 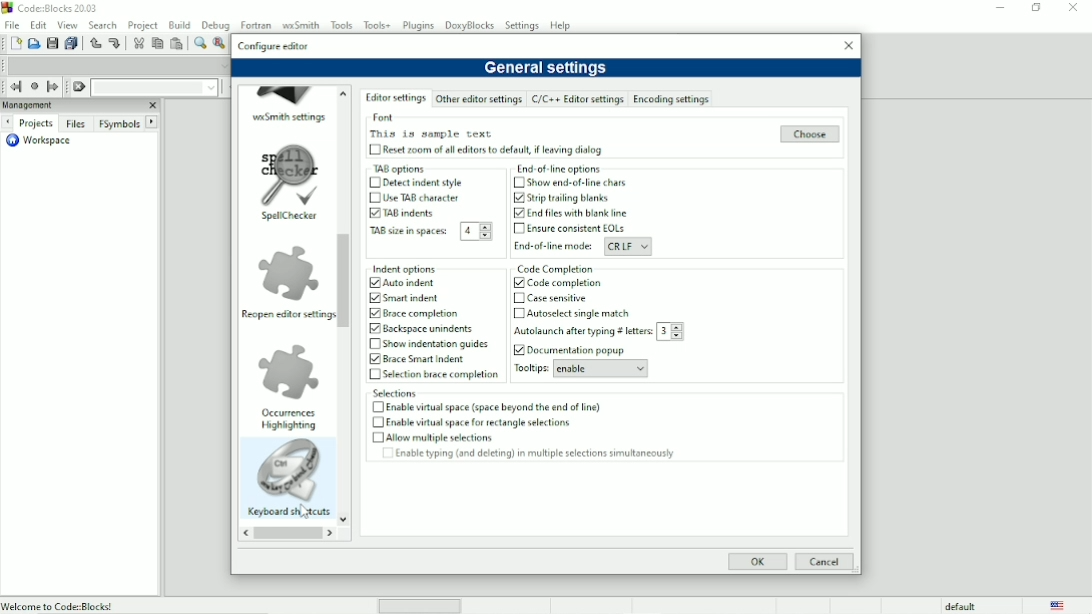 I want to click on Next, so click(x=152, y=121).